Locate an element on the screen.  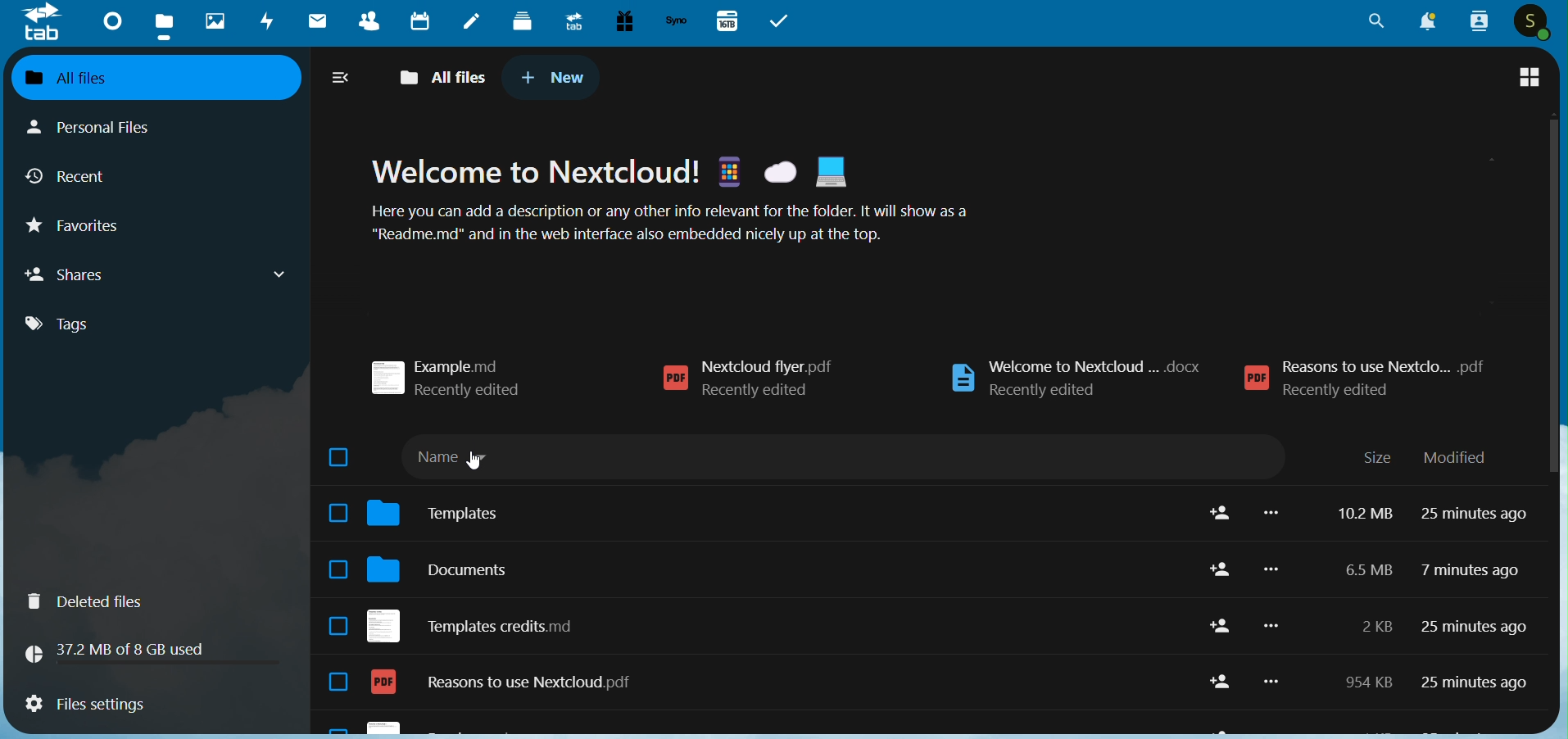
Synology is located at coordinates (678, 20).